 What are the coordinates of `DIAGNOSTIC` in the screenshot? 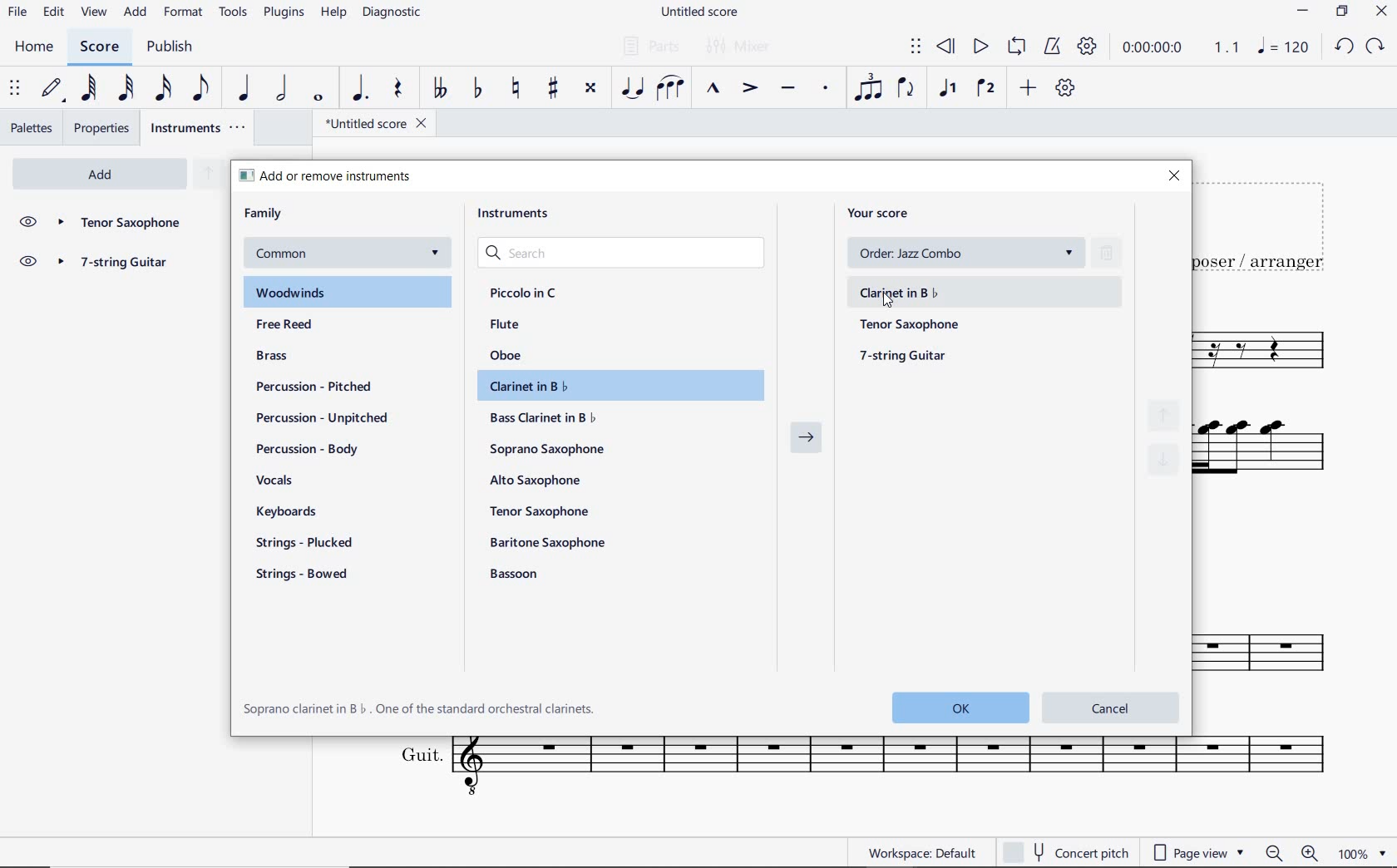 It's located at (392, 12).